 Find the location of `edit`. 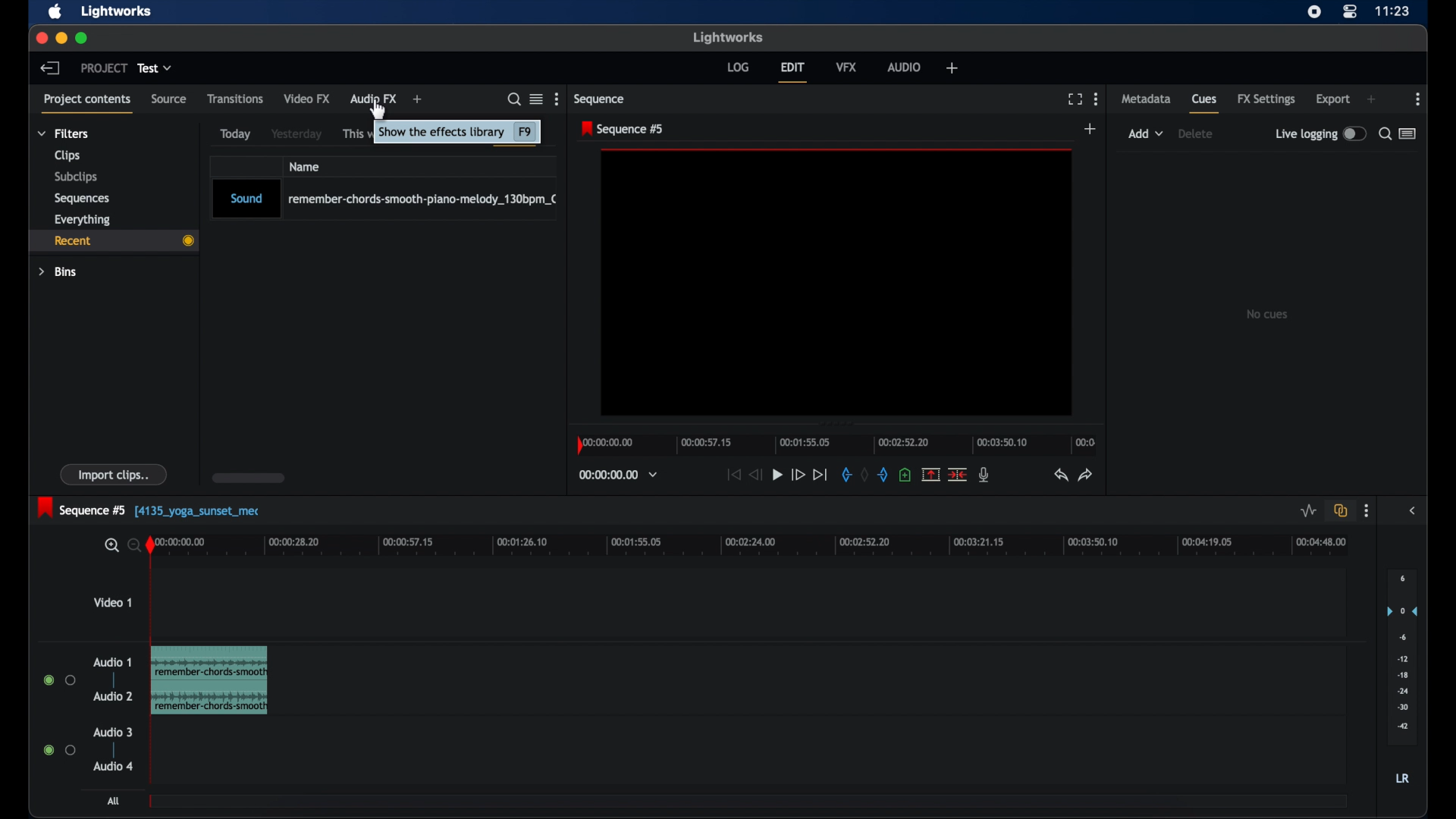

edit is located at coordinates (792, 72).